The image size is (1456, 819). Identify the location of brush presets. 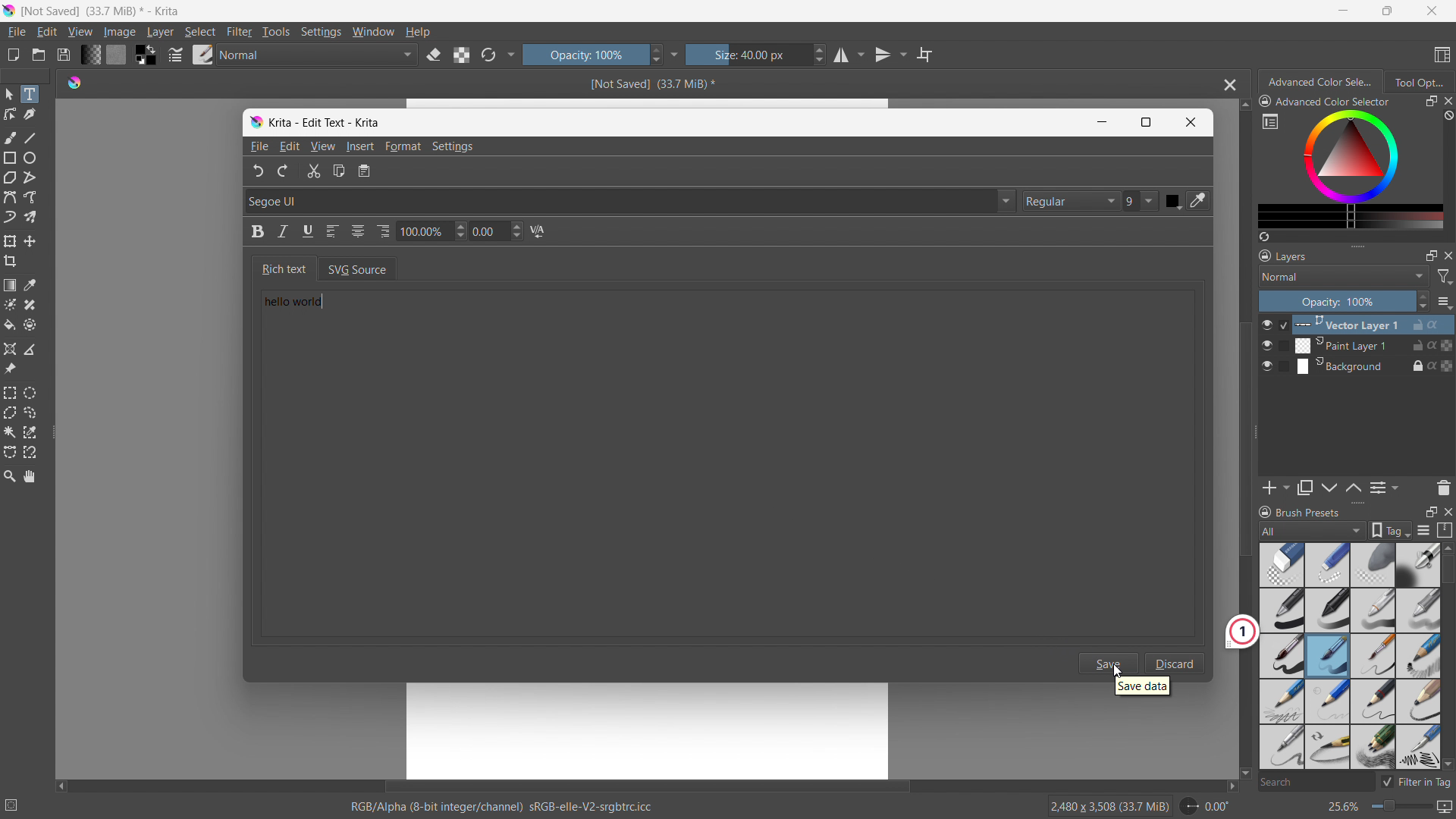
(1299, 511).